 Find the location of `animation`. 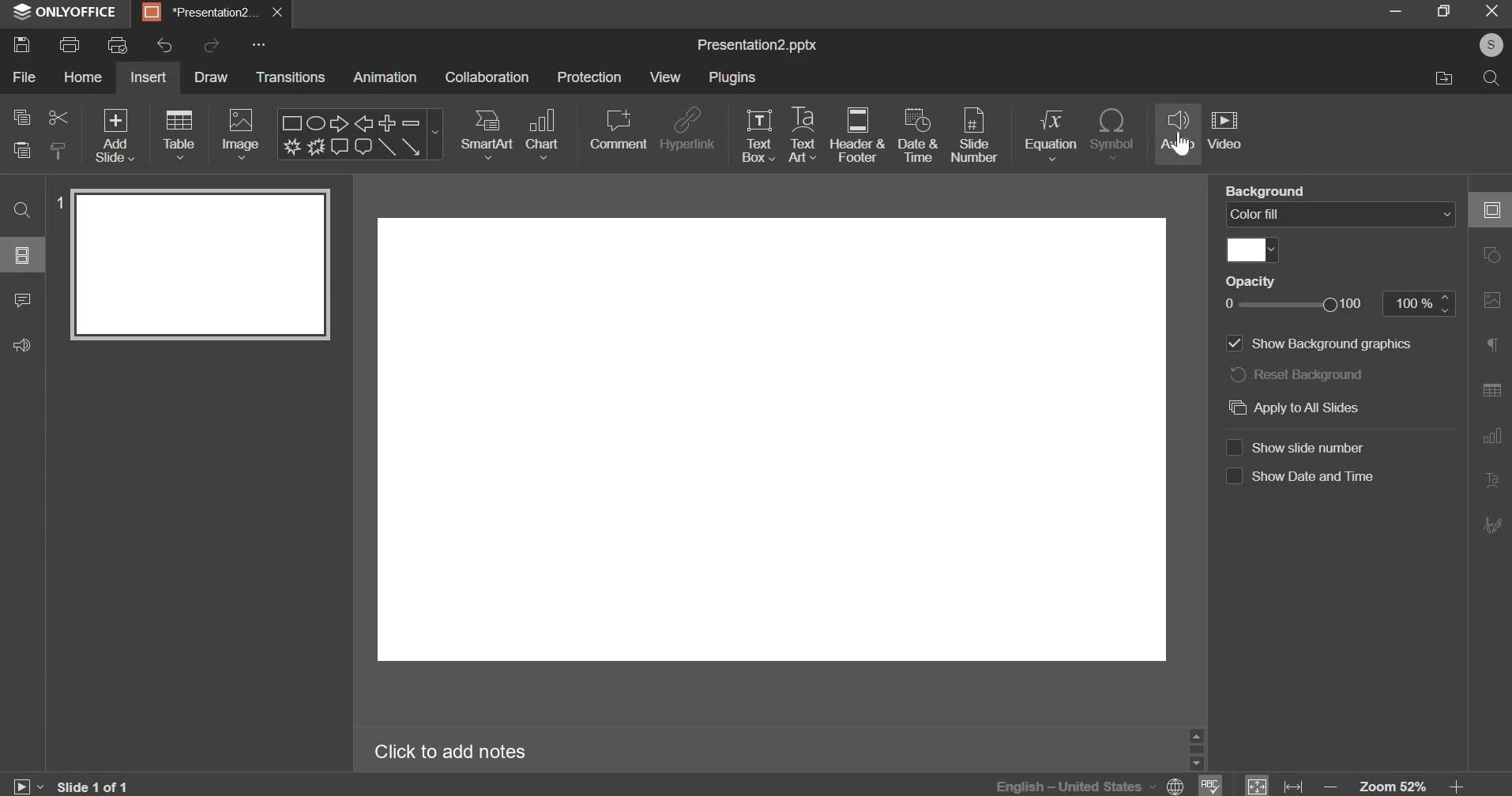

animation is located at coordinates (385, 78).